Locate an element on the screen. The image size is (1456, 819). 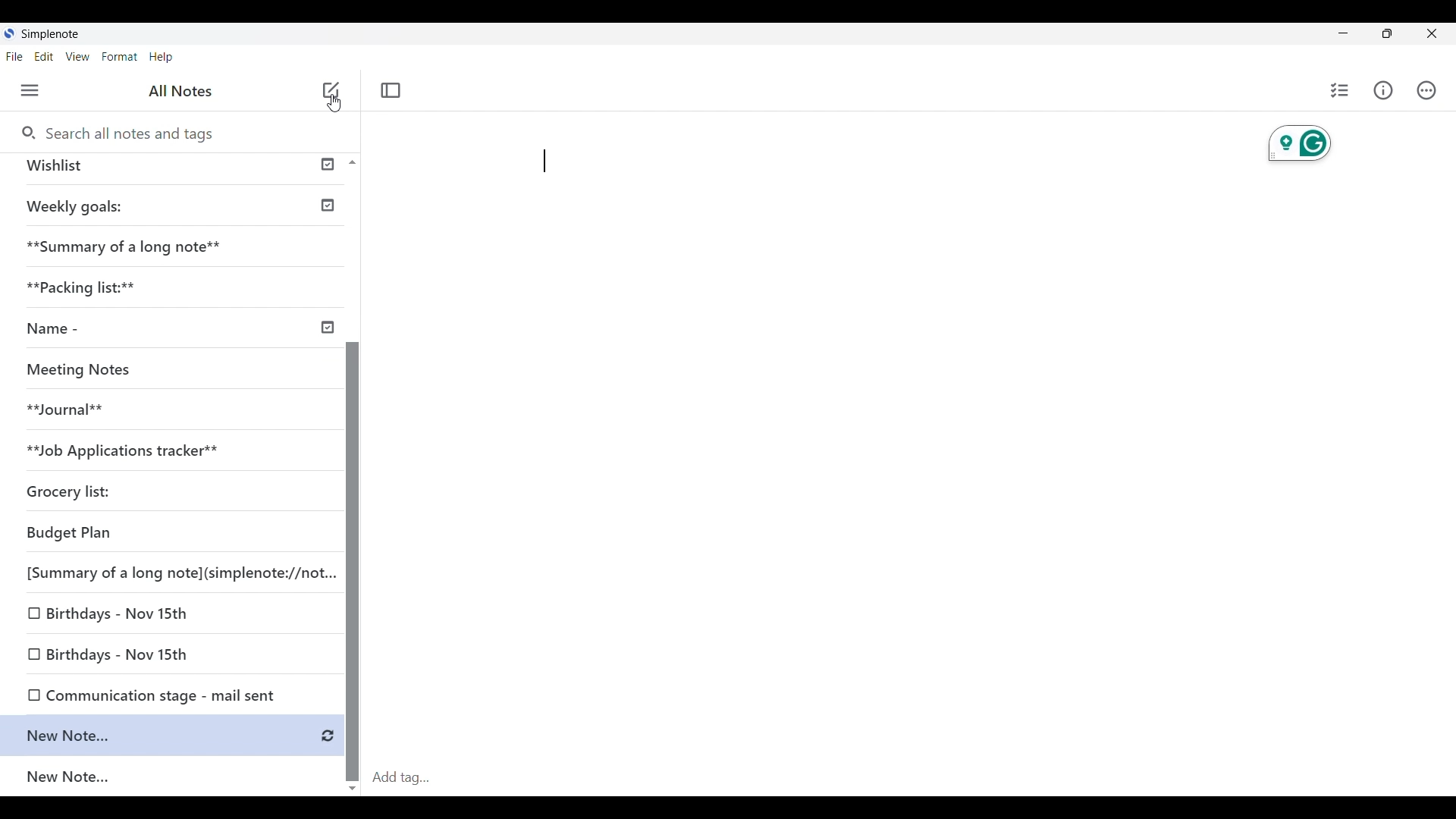
Budget Plan is located at coordinates (68, 531).